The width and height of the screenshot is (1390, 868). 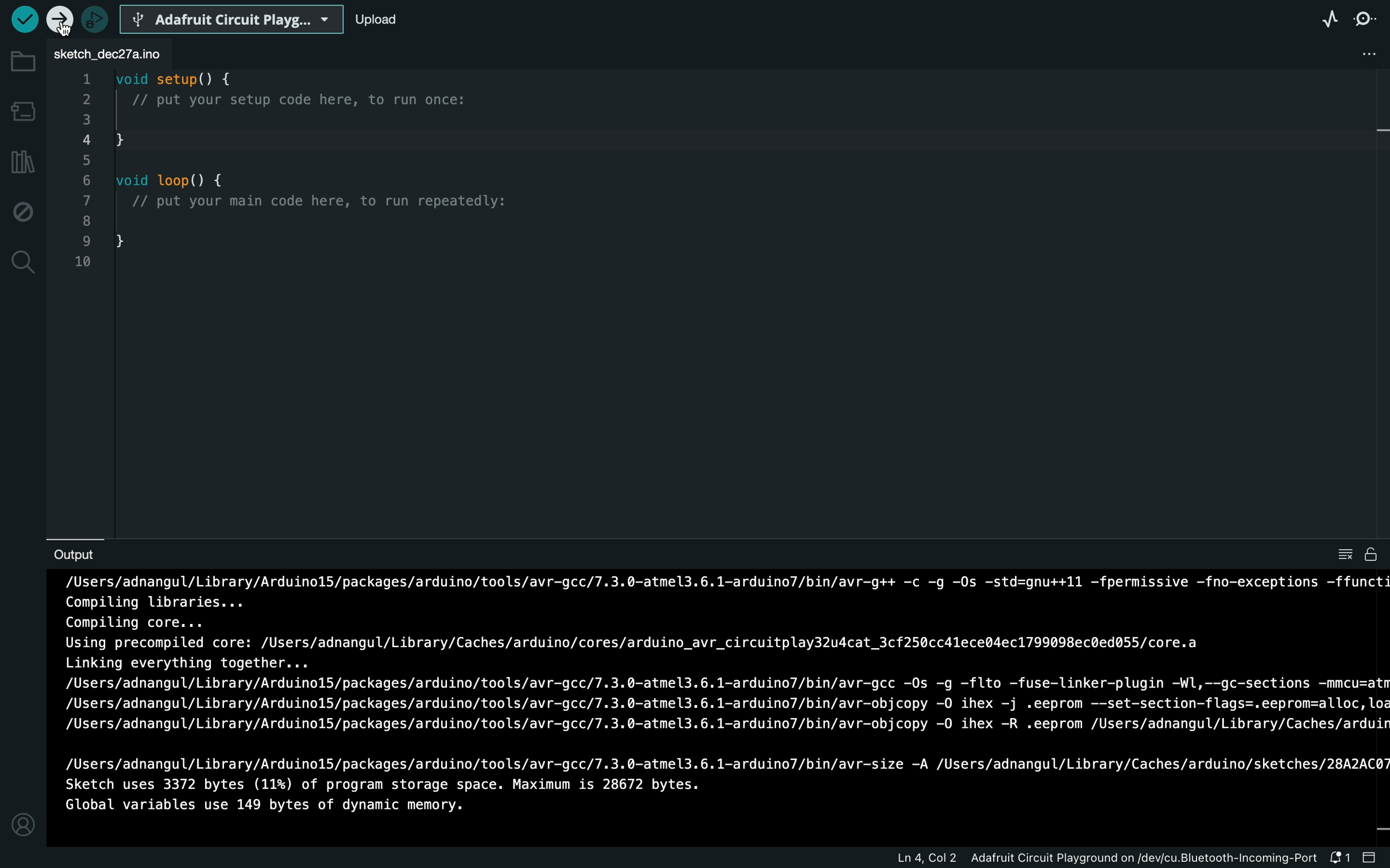 I want to click on output, so click(x=71, y=555).